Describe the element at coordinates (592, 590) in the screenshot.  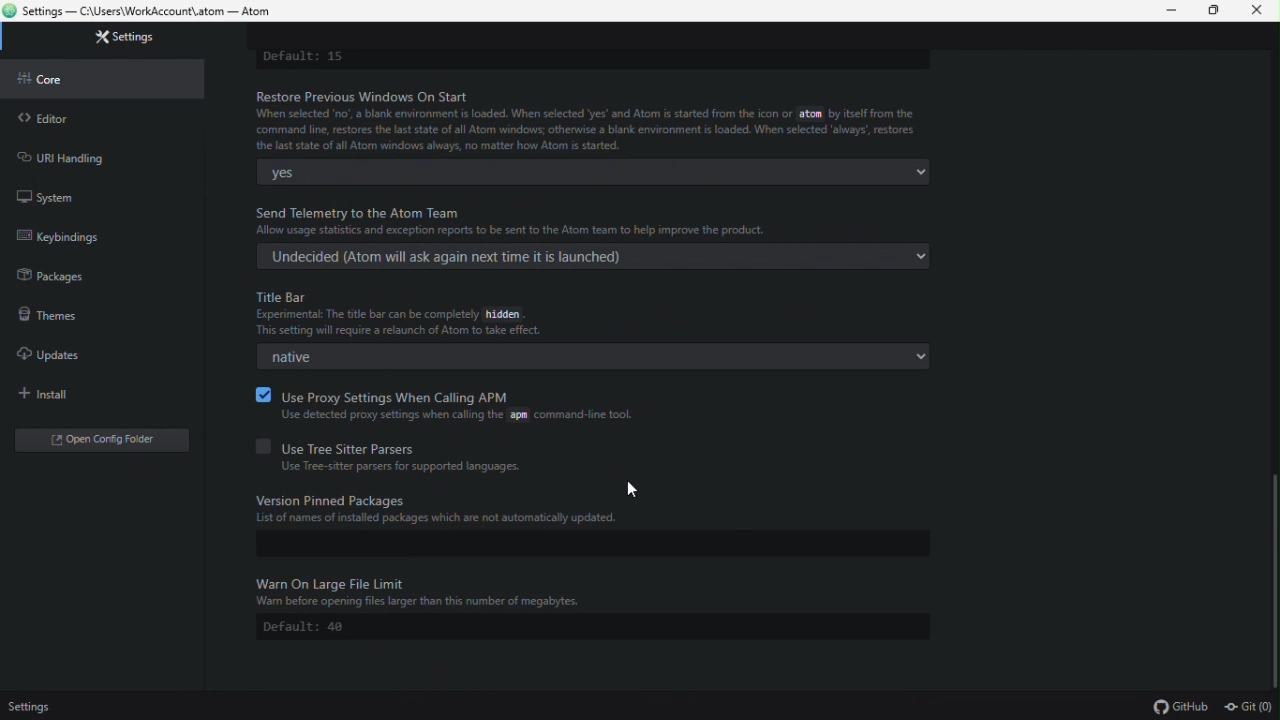
I see `` at that location.